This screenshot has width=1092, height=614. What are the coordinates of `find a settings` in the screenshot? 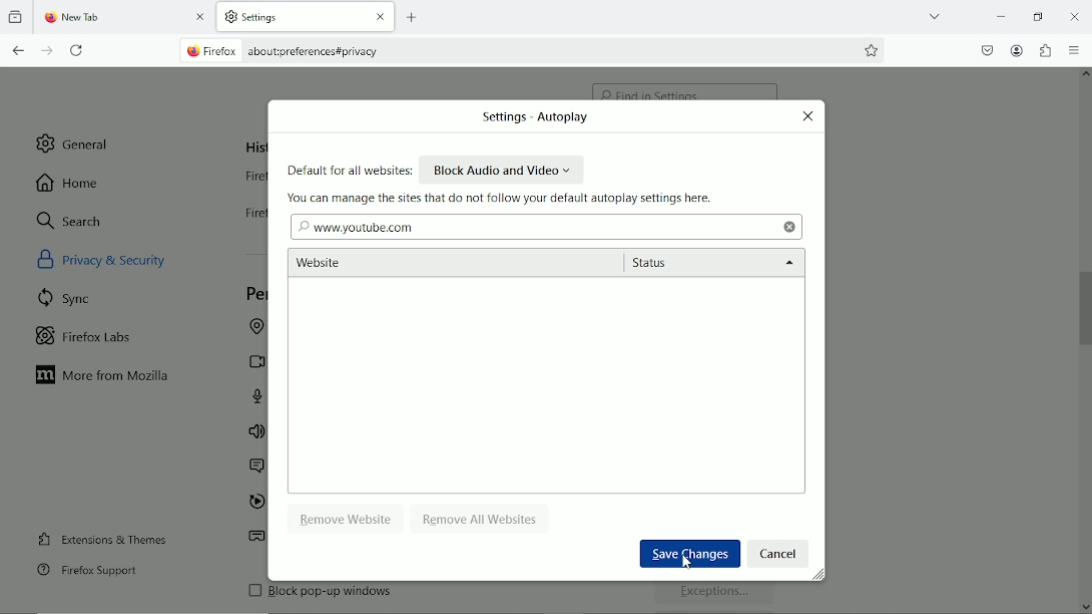 It's located at (686, 86).